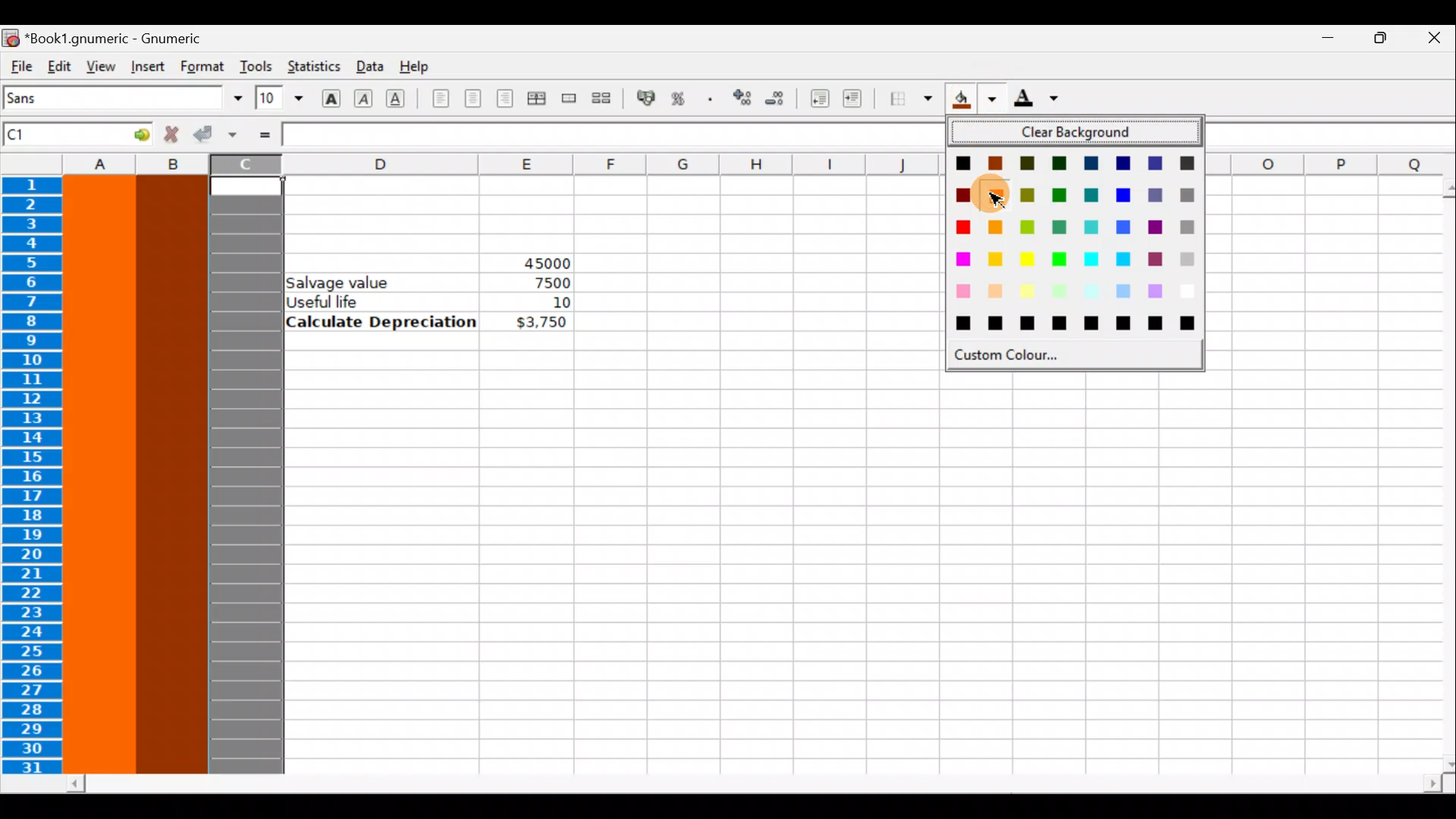  I want to click on Enter formula, so click(264, 134).